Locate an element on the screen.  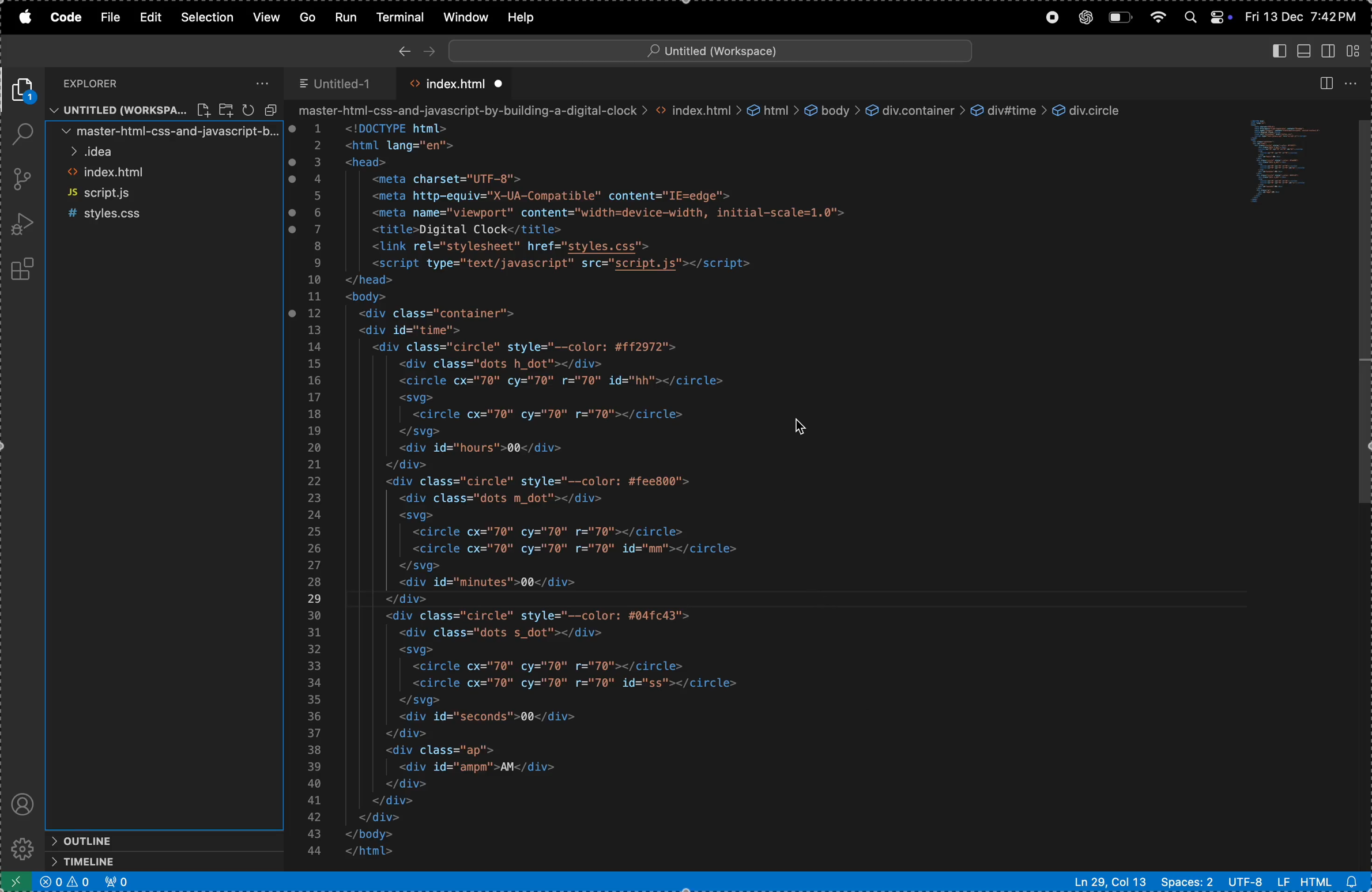
Line Number is located at coordinates (314, 489).